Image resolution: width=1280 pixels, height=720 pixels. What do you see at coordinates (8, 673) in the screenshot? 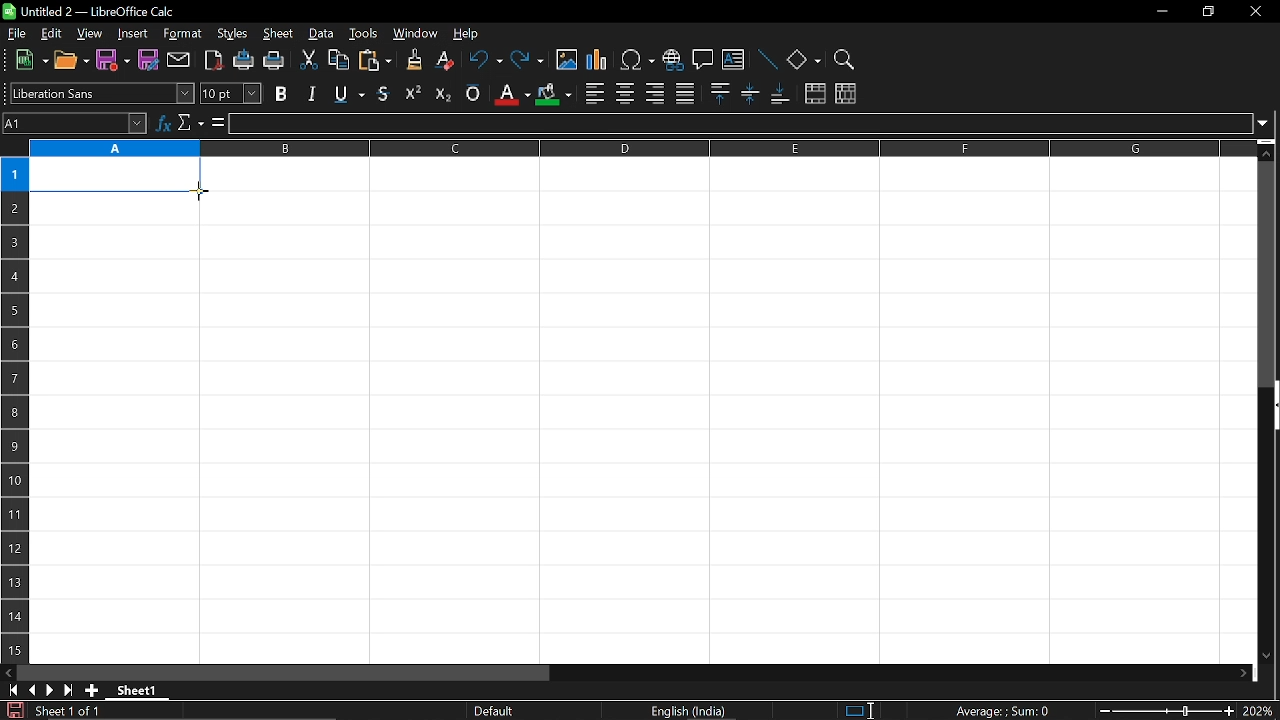
I see `move left` at bounding box center [8, 673].